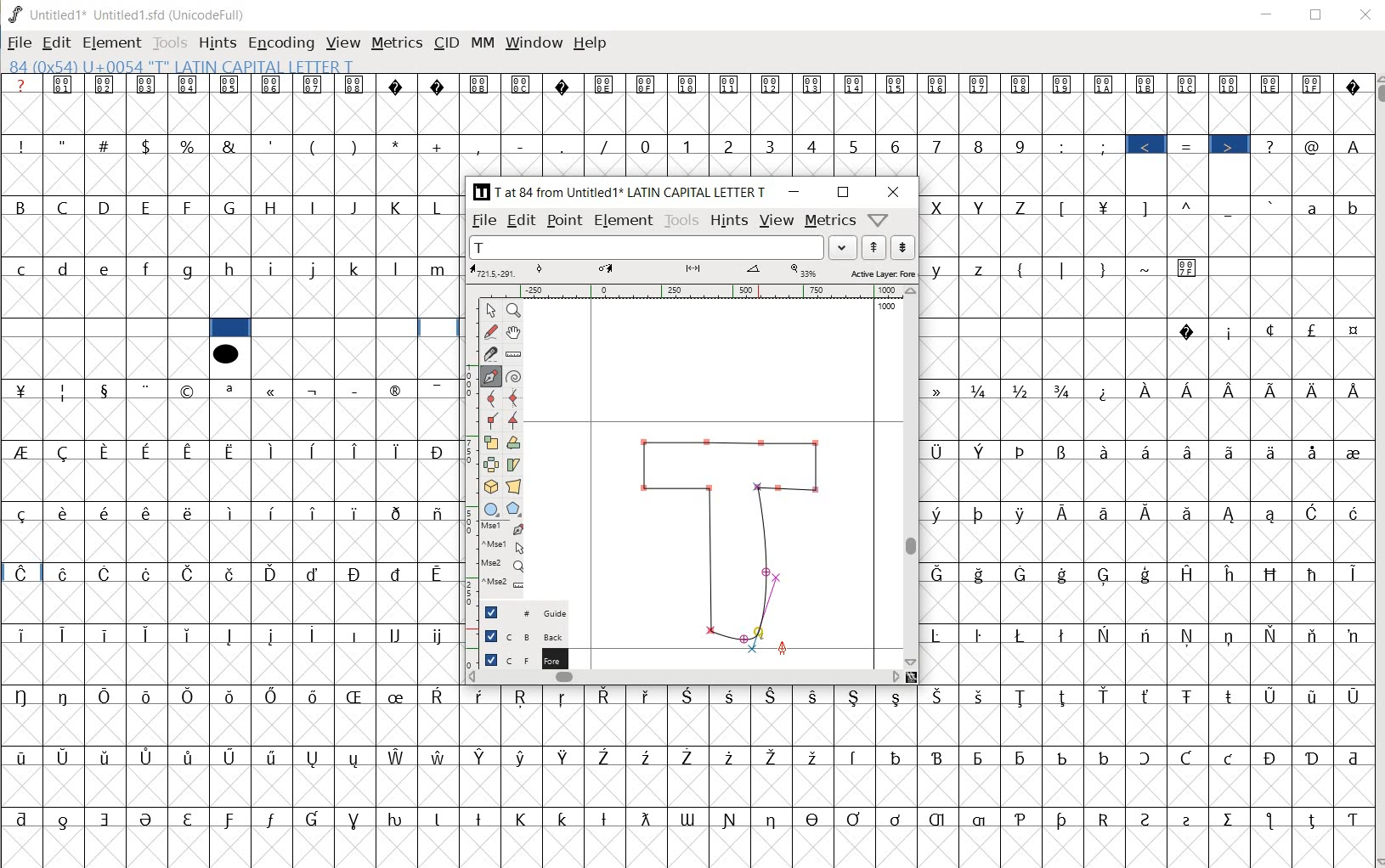  What do you see at coordinates (440, 206) in the screenshot?
I see `L` at bounding box center [440, 206].